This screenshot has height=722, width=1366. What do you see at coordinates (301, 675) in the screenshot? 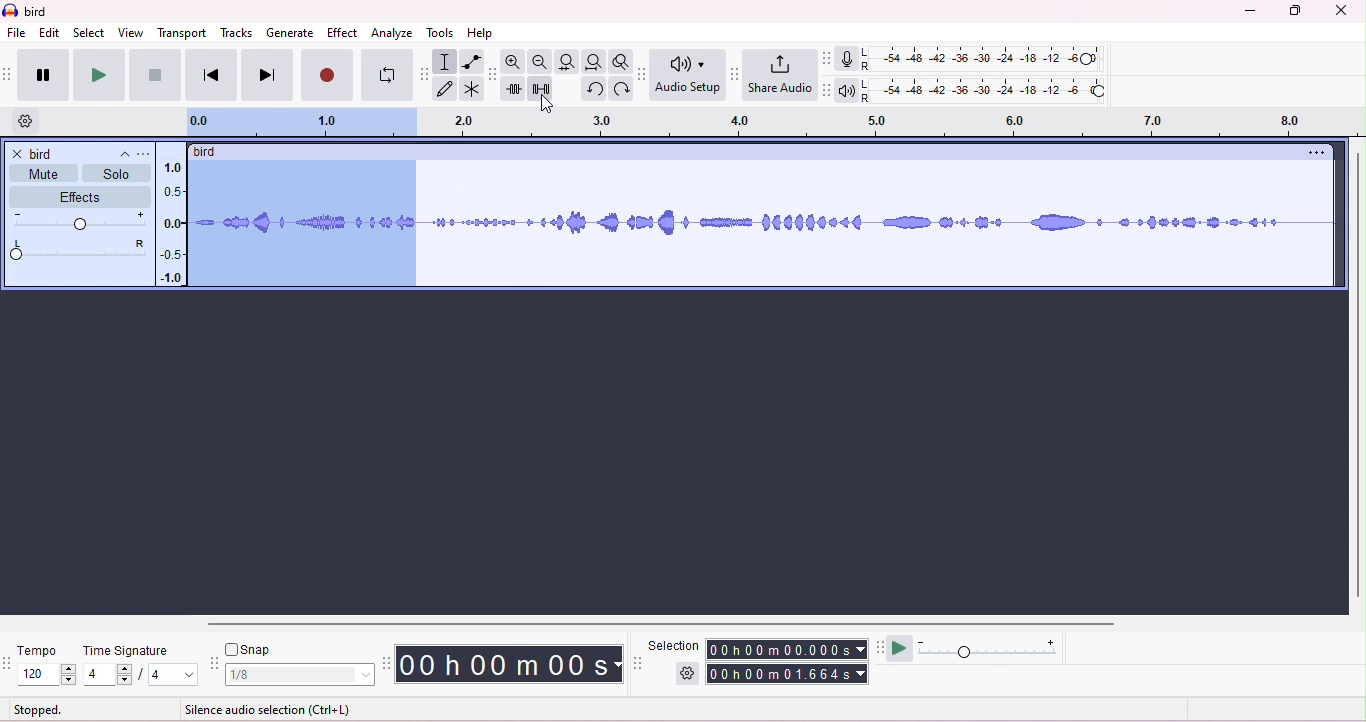
I see `1/8 (select snap)` at bounding box center [301, 675].